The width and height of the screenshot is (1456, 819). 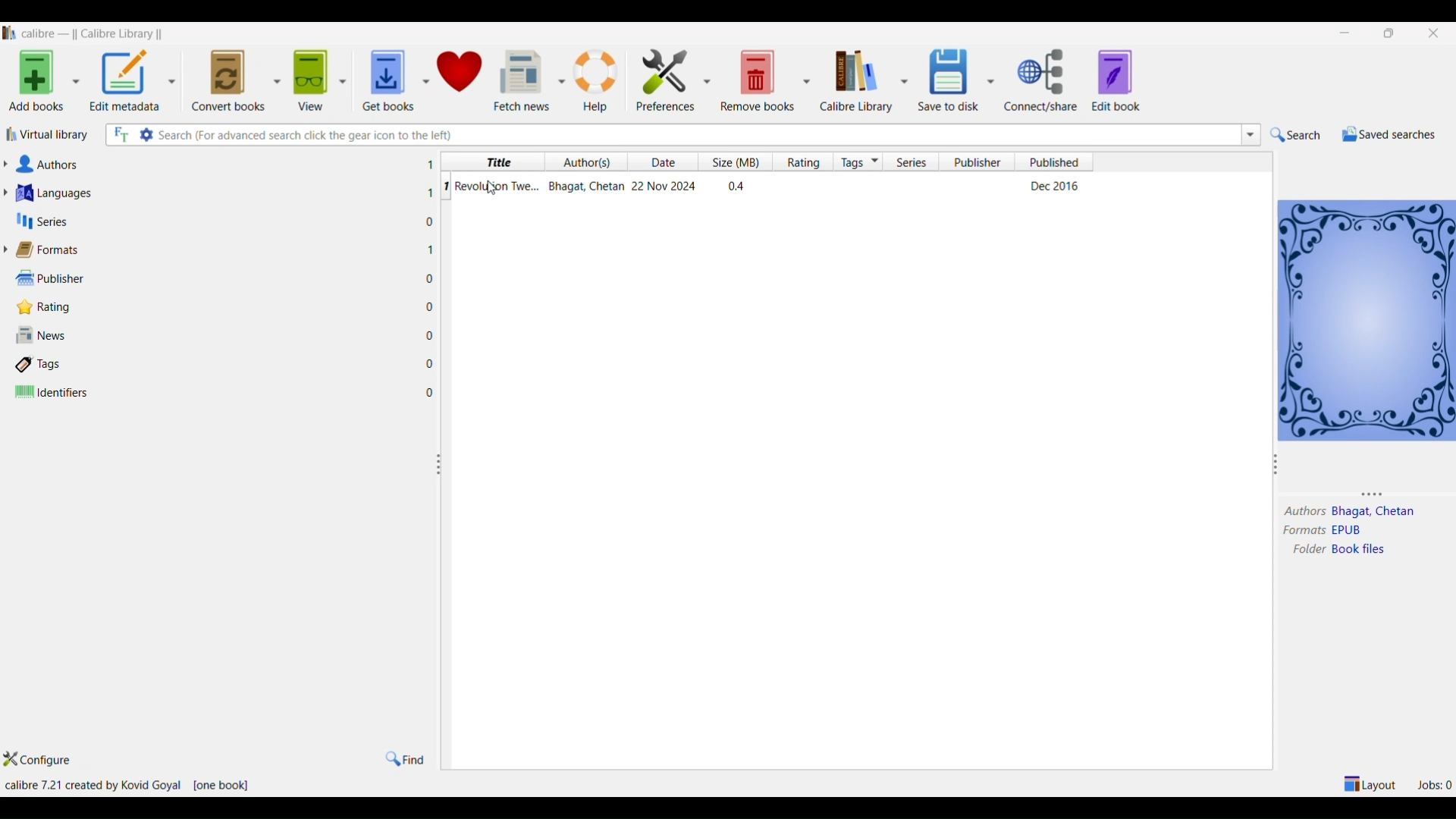 What do you see at coordinates (177, 79) in the screenshot?
I see `edit metadata options dropdown button` at bounding box center [177, 79].